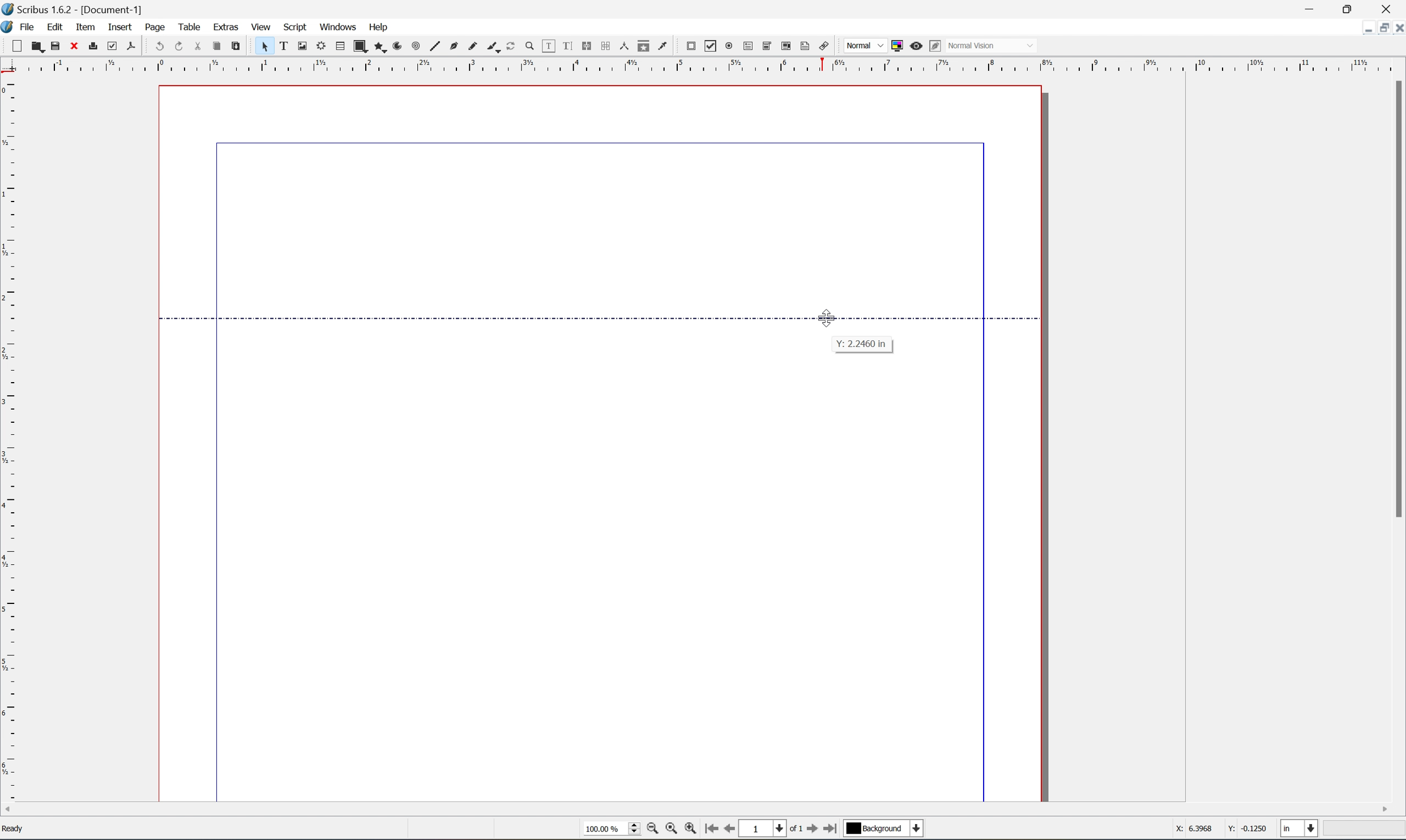  Describe the element at coordinates (455, 48) in the screenshot. I see `bezier curve` at that location.